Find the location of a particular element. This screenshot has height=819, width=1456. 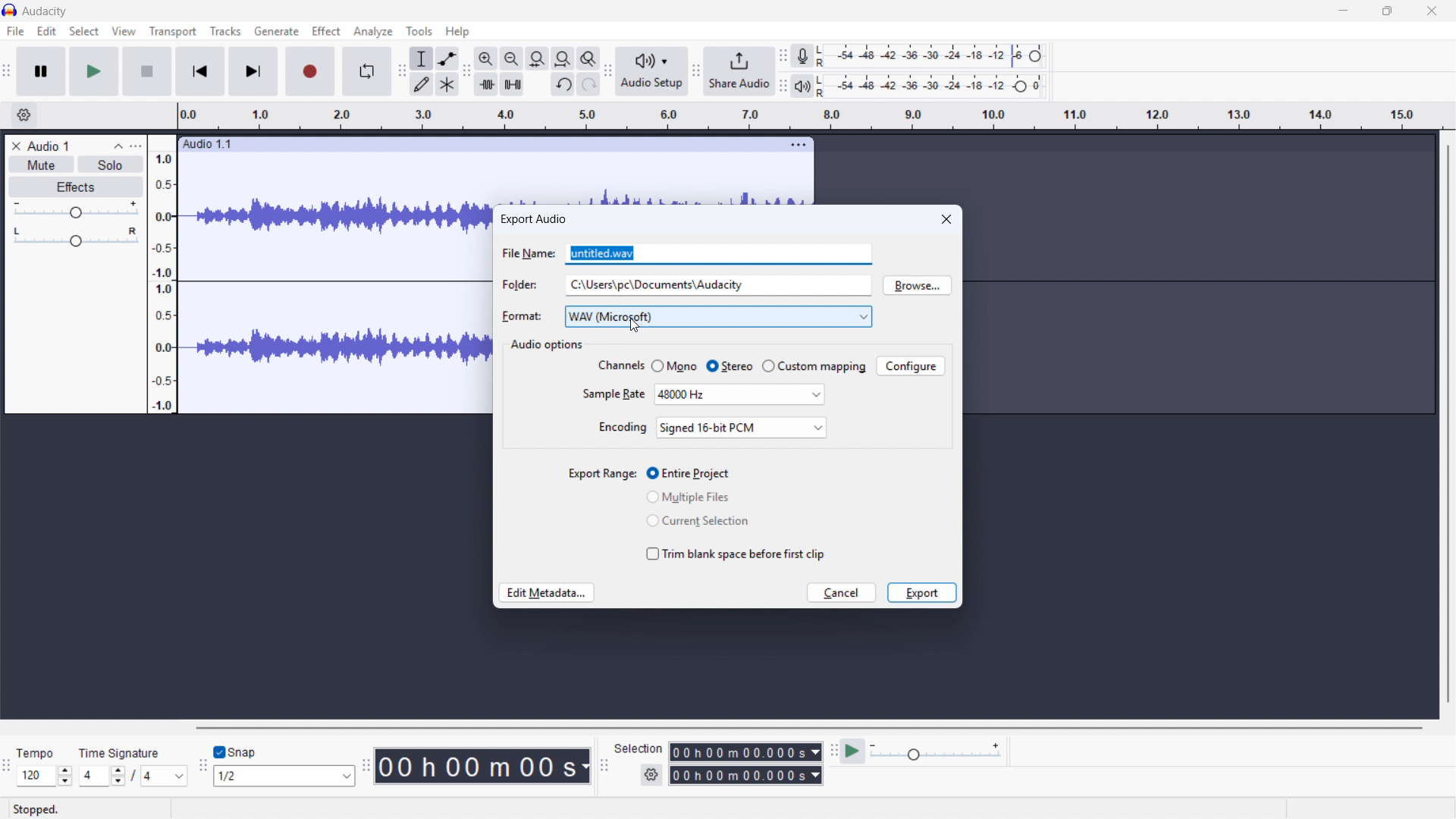

file name is located at coordinates (529, 256).